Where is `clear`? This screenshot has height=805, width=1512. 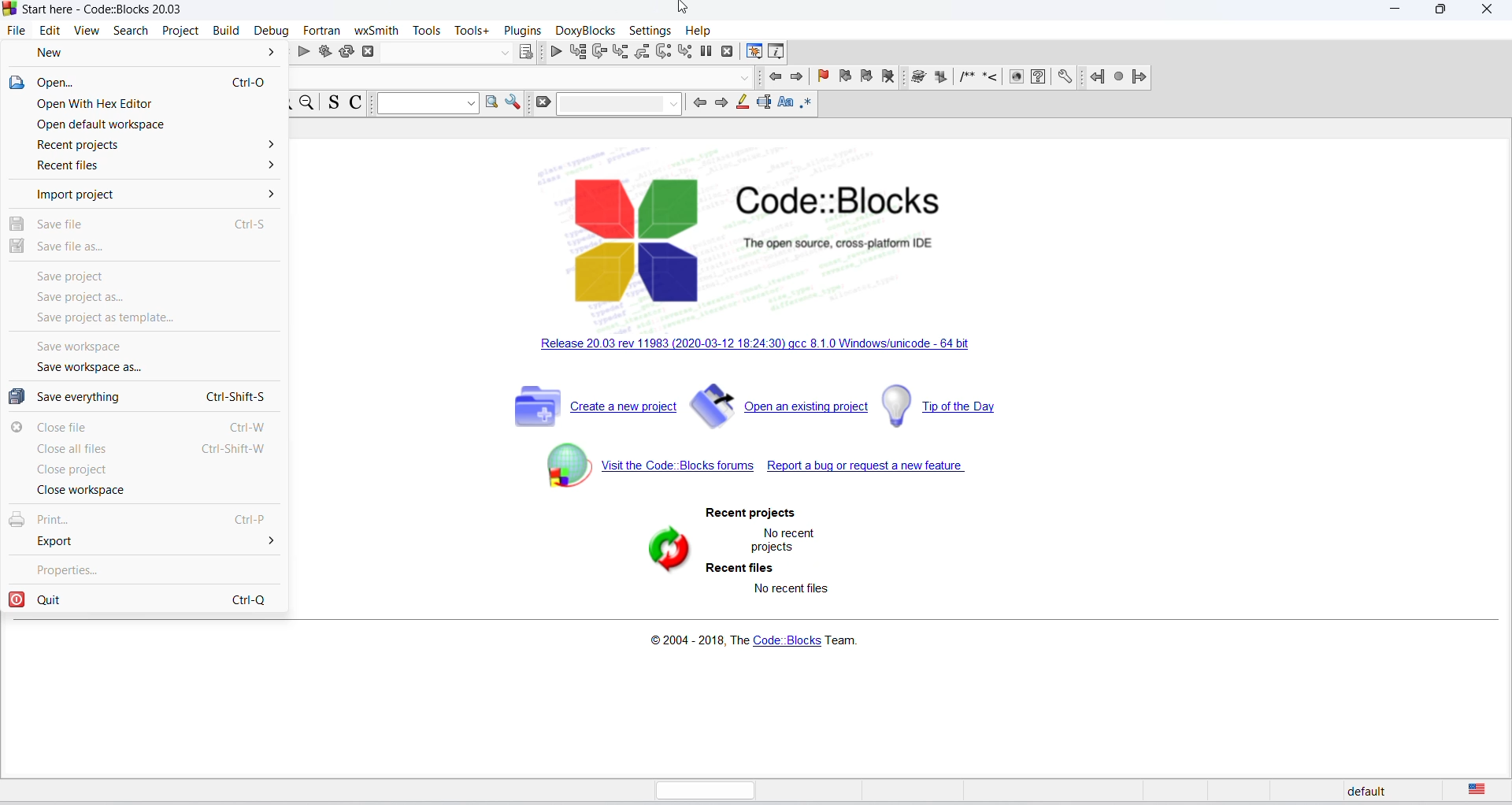
clear is located at coordinates (542, 106).